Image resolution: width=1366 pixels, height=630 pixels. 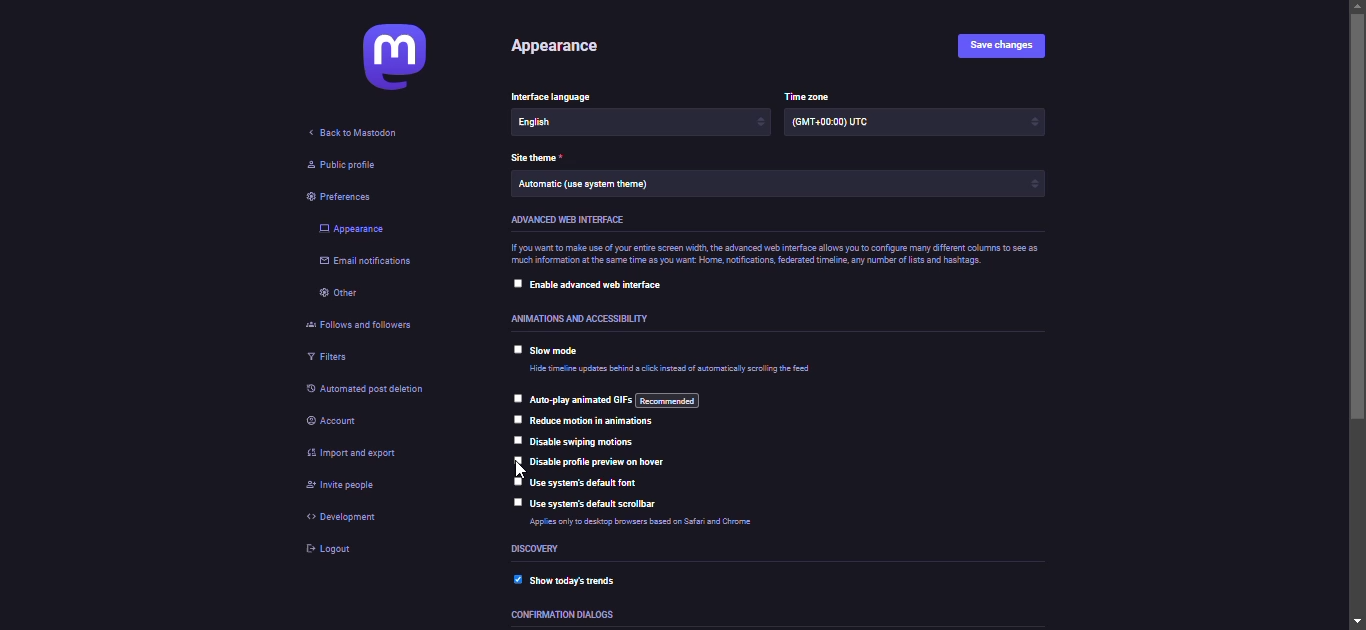 What do you see at coordinates (349, 133) in the screenshot?
I see `back to mastodon` at bounding box center [349, 133].